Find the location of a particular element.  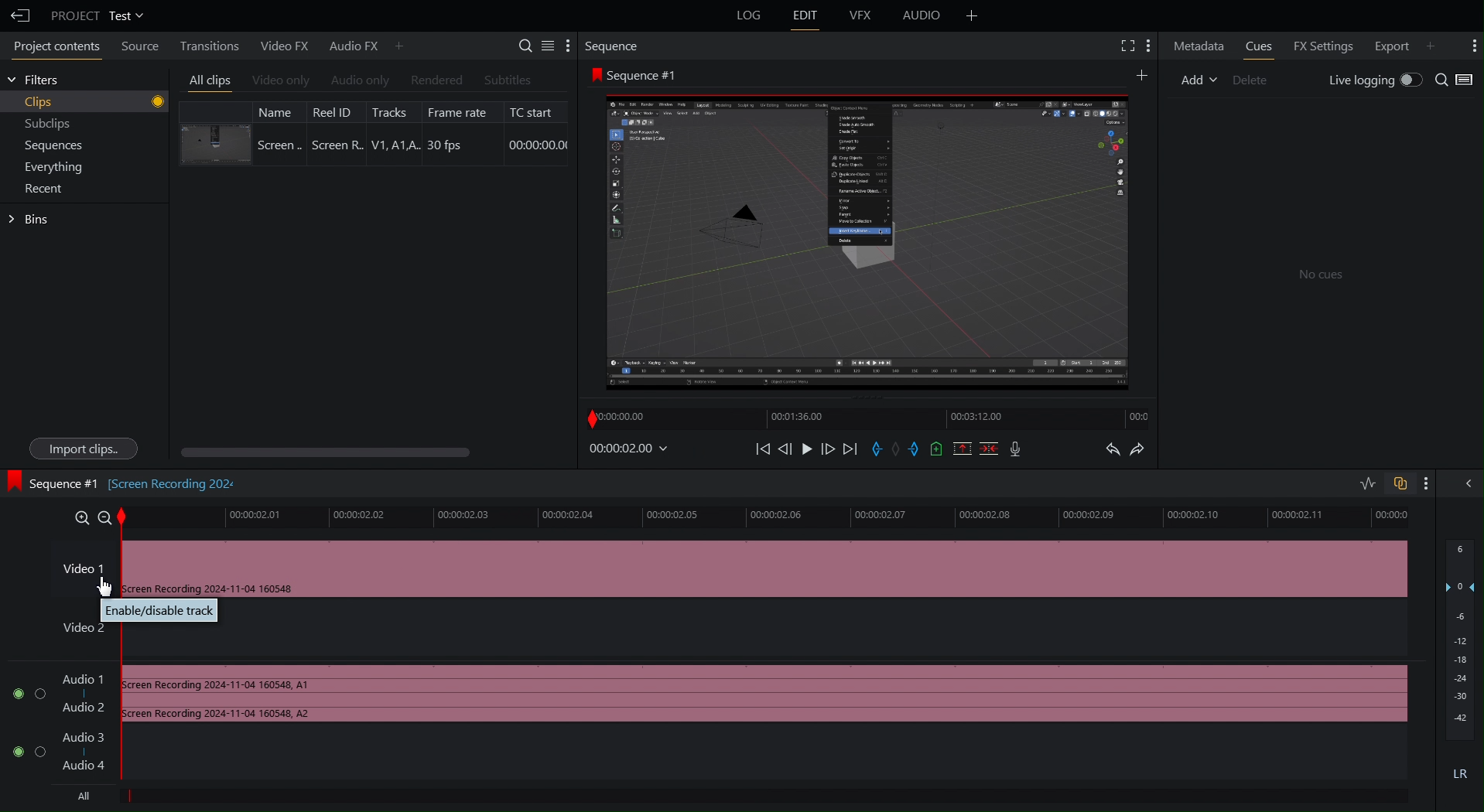

Source is located at coordinates (142, 46).